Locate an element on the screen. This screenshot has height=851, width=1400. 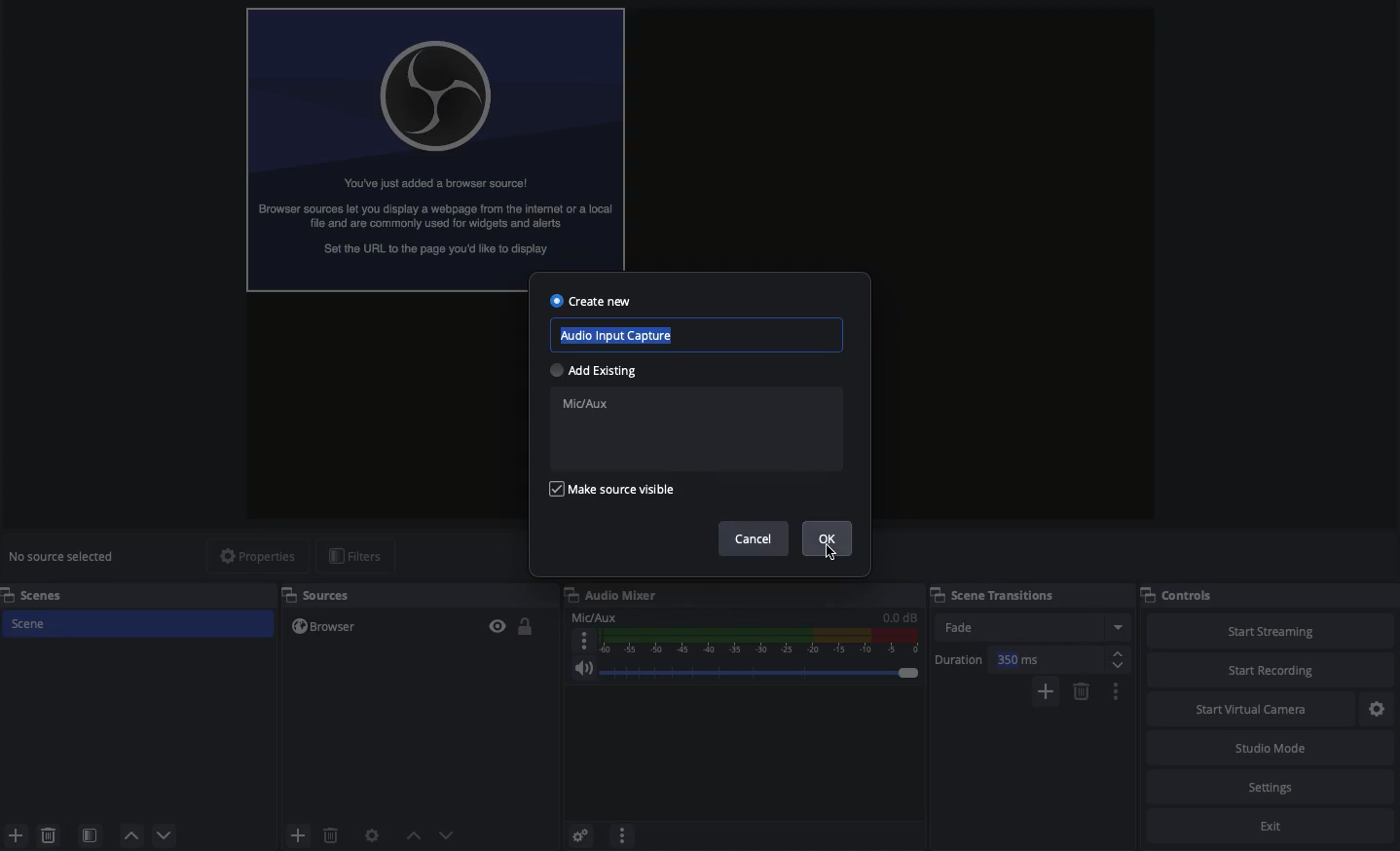
Mic/aux is located at coordinates (743, 634).